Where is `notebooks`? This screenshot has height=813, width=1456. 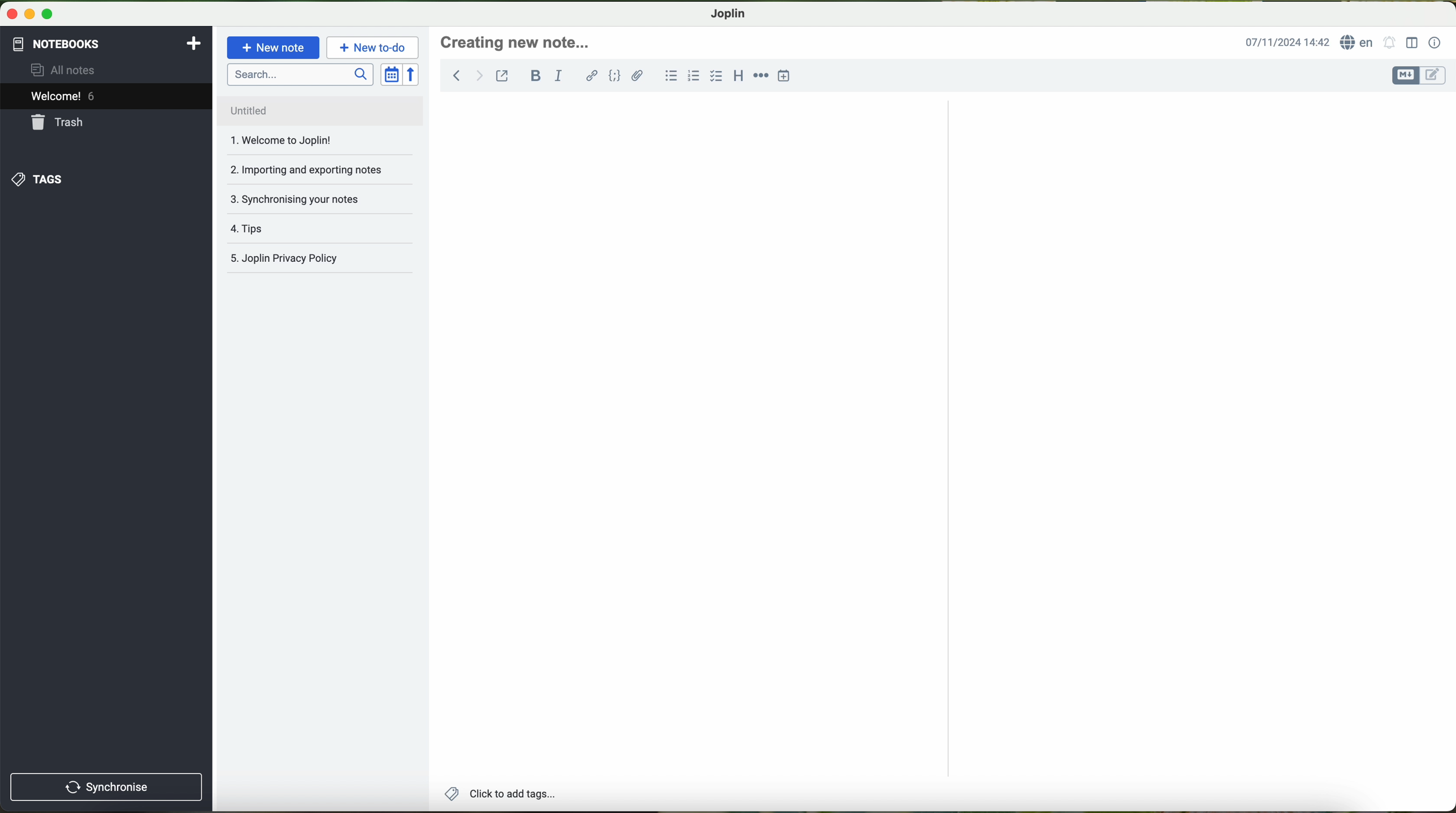 notebooks is located at coordinates (107, 42).